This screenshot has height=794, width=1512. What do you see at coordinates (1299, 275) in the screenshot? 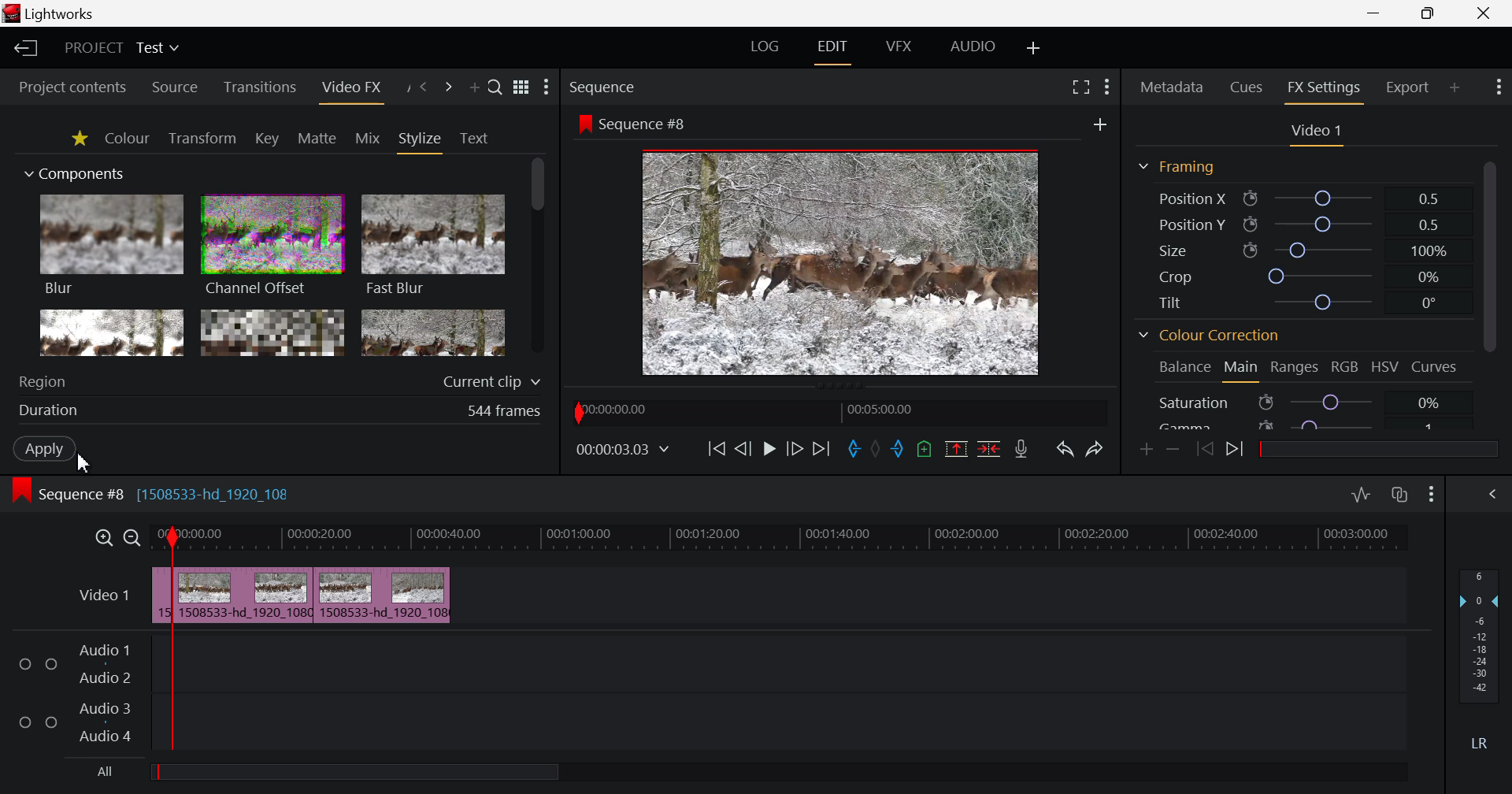
I see `Crop` at bounding box center [1299, 275].